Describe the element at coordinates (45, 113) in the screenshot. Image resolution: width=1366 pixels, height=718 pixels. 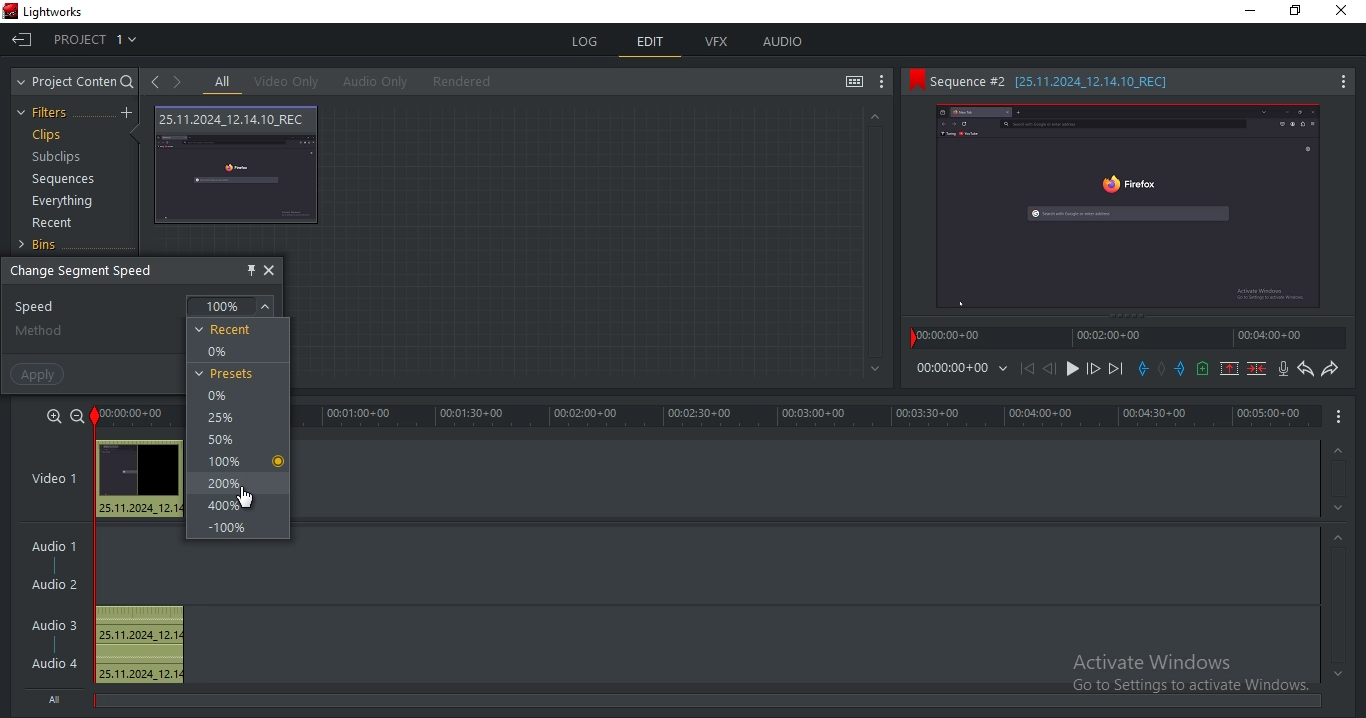
I see `filters` at that location.